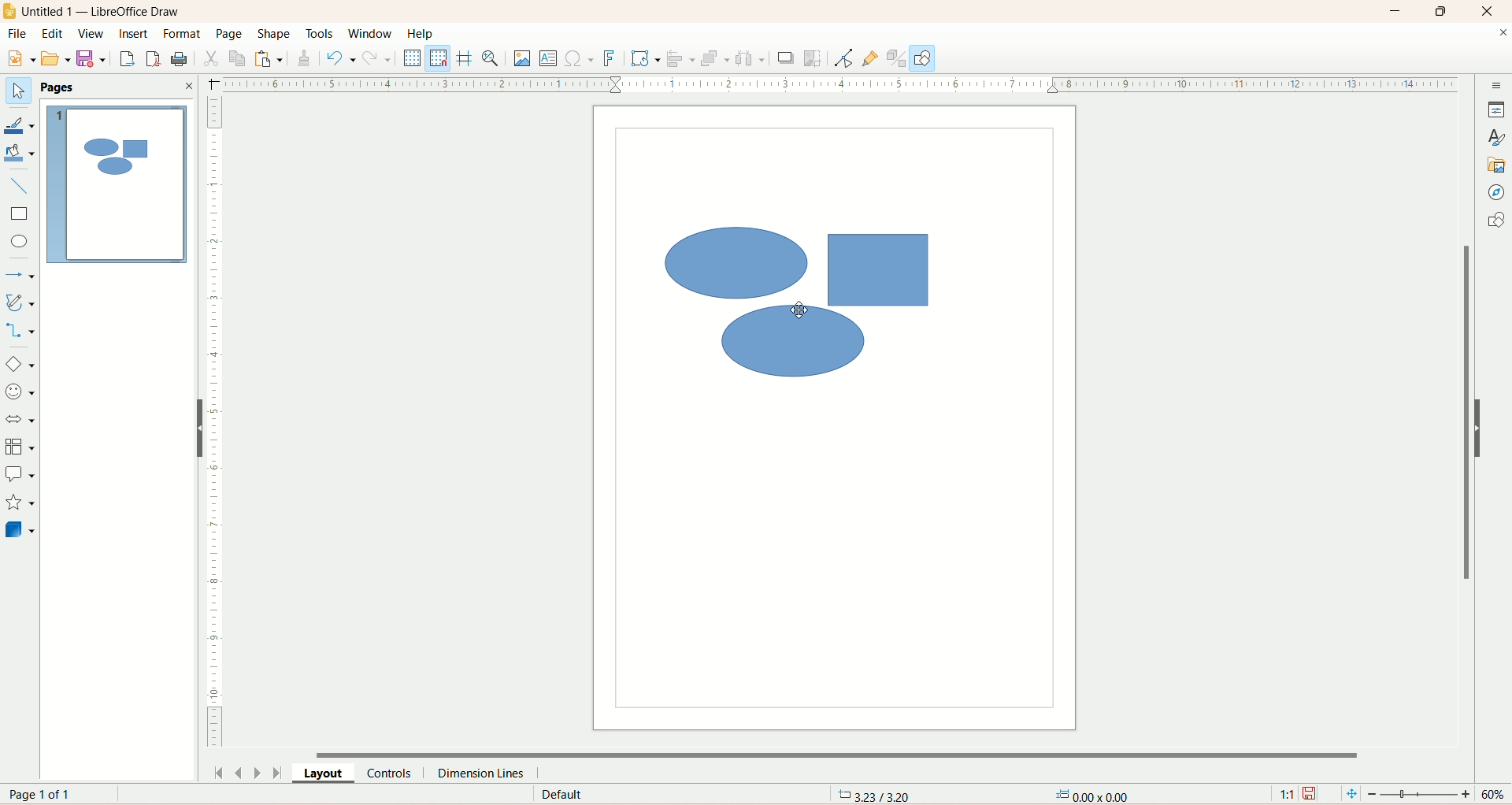  What do you see at coordinates (1088, 795) in the screenshot?
I see `anchor point` at bounding box center [1088, 795].